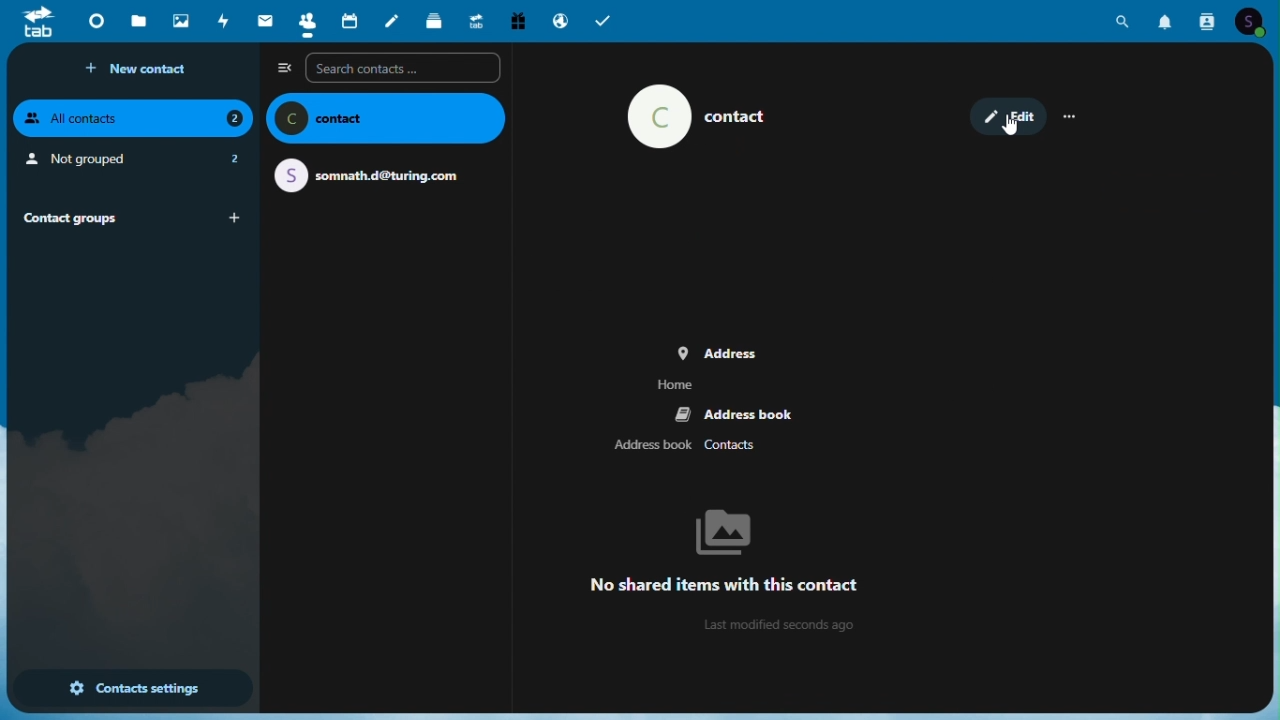  I want to click on bg image, so click(731, 525).